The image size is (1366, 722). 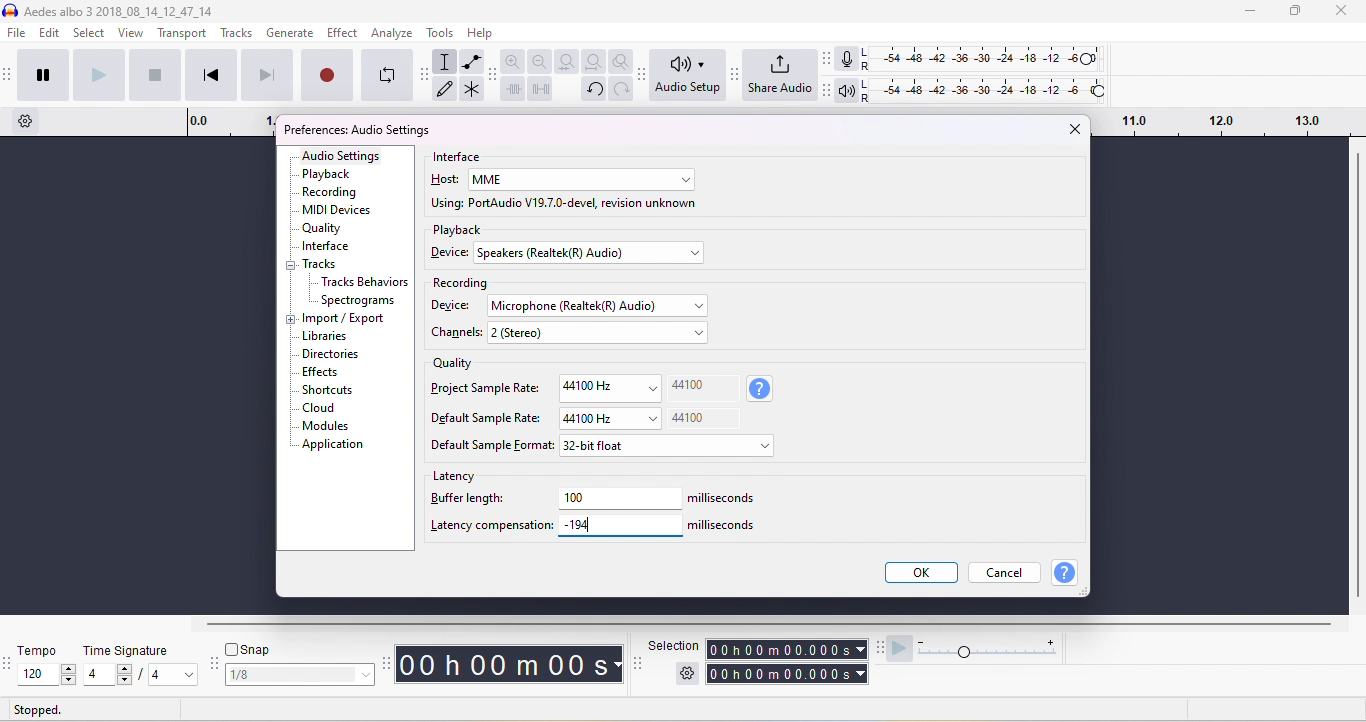 I want to click on horizontal scroll bar, so click(x=774, y=625).